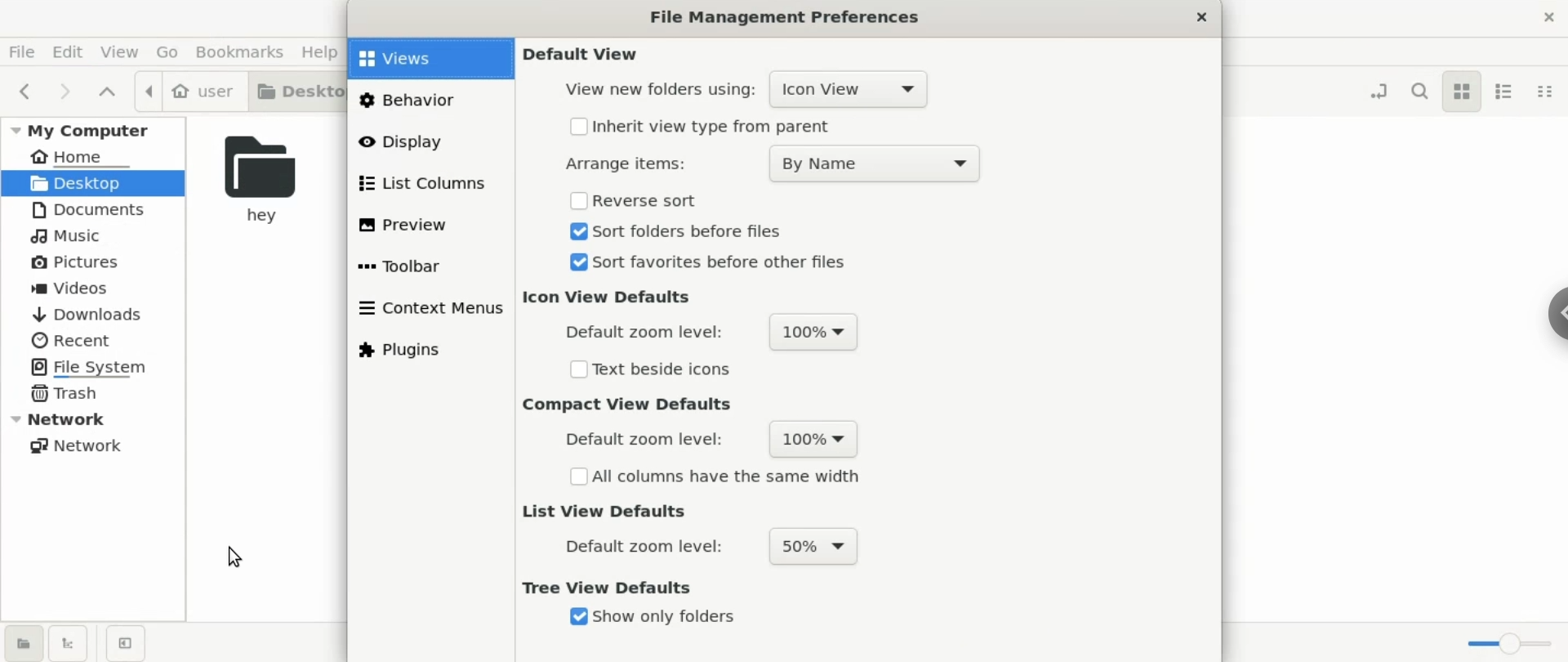 The width and height of the screenshot is (1568, 662). I want to click on tree view defaults, so click(619, 587).